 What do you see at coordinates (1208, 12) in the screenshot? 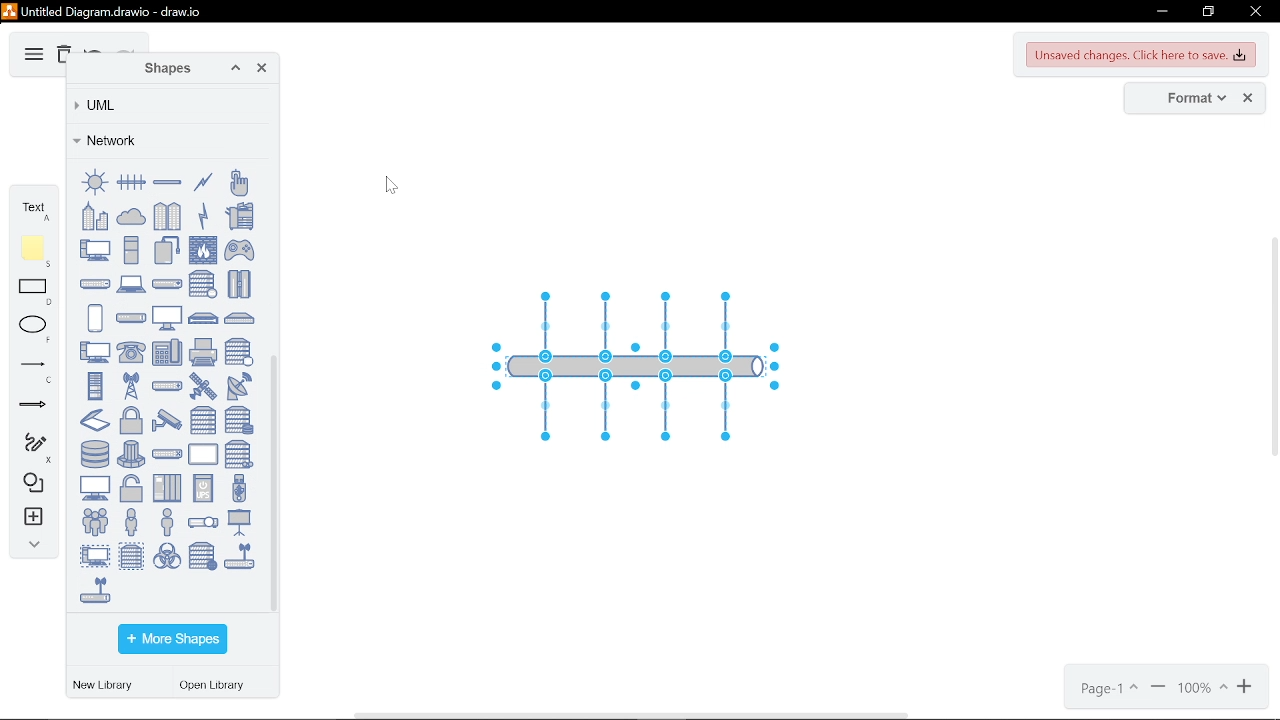
I see `restore down` at bounding box center [1208, 12].